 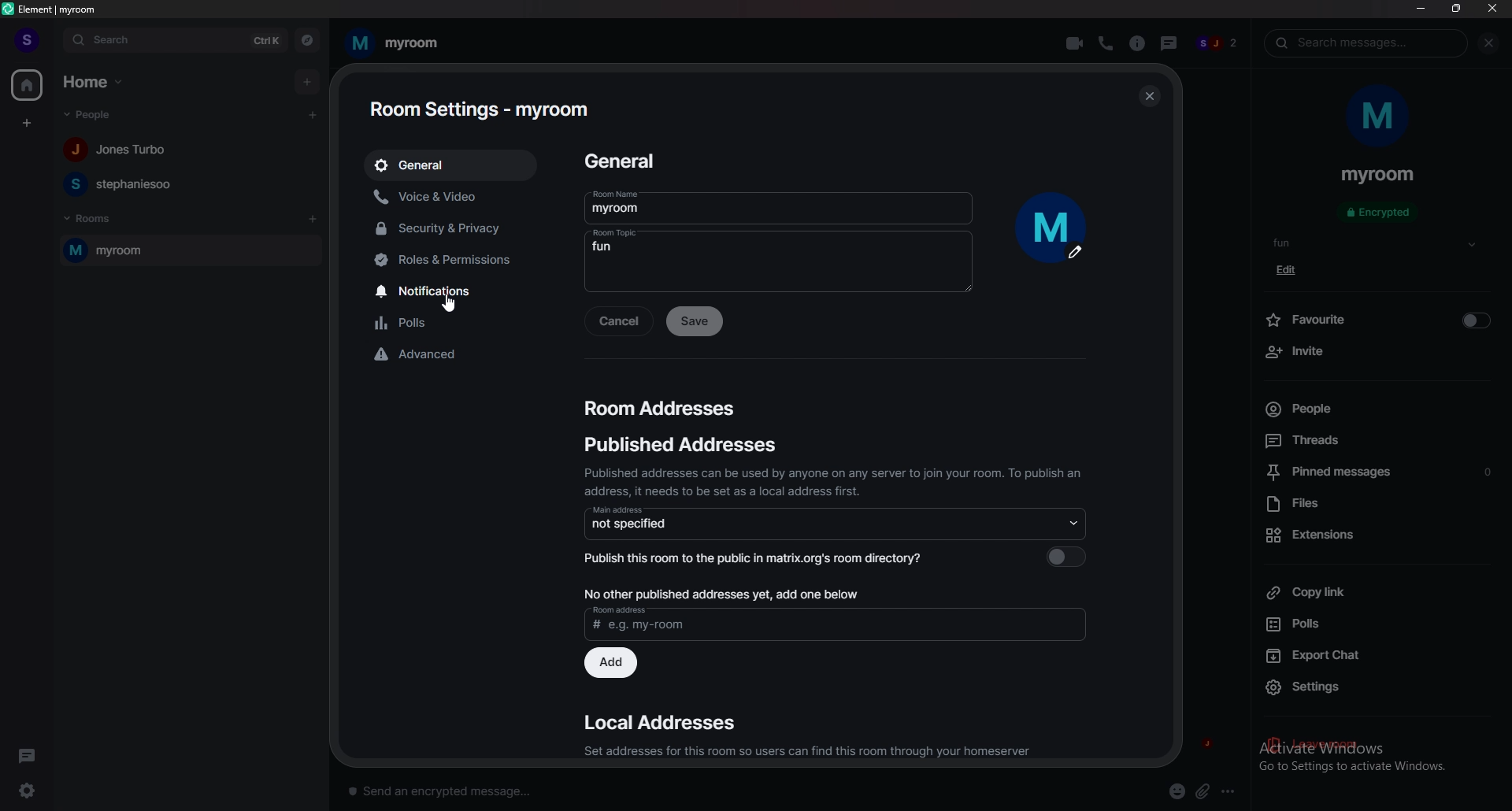 I want to click on add, so click(x=306, y=81).